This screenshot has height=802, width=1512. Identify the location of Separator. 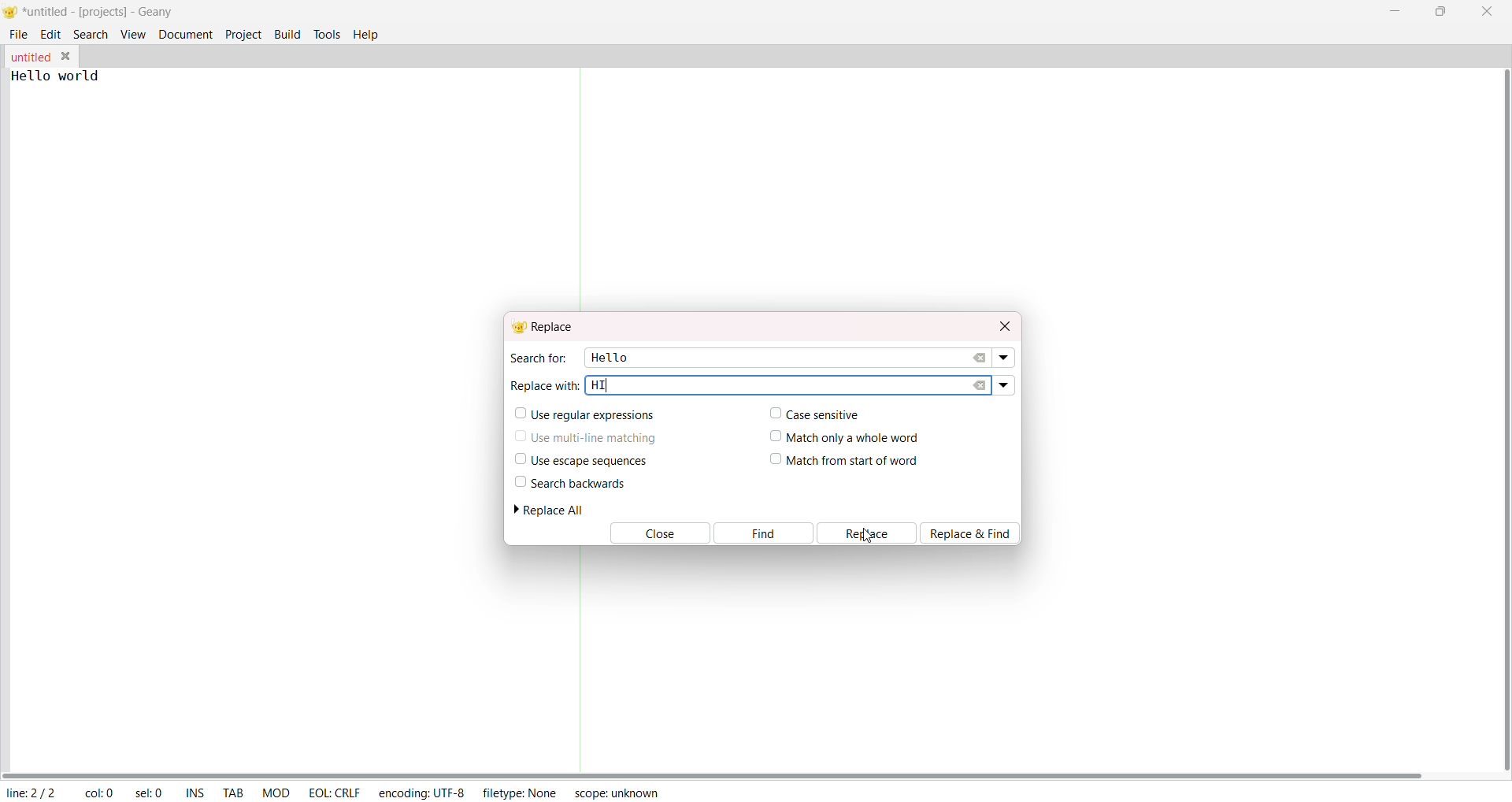
(580, 659).